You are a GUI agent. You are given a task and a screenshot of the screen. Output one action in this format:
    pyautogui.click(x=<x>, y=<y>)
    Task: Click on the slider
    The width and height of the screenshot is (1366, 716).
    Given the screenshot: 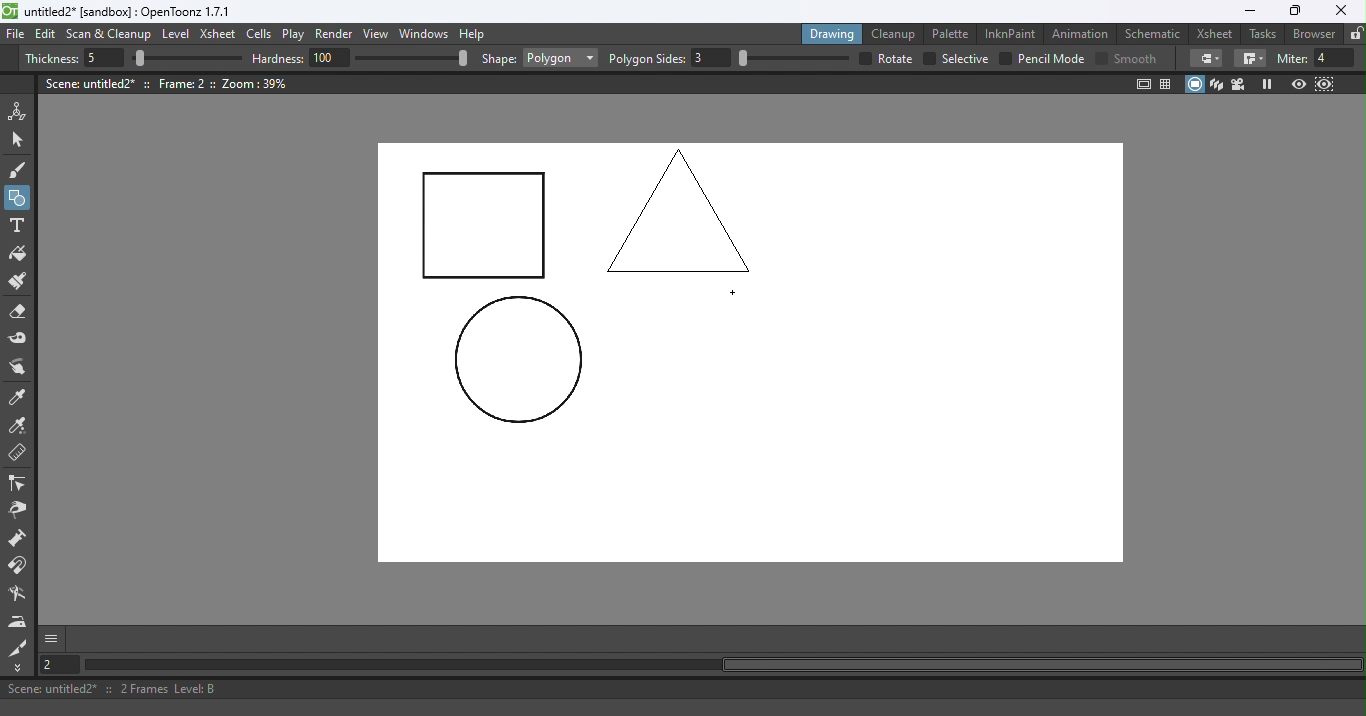 What is the action you would take?
    pyautogui.click(x=187, y=59)
    